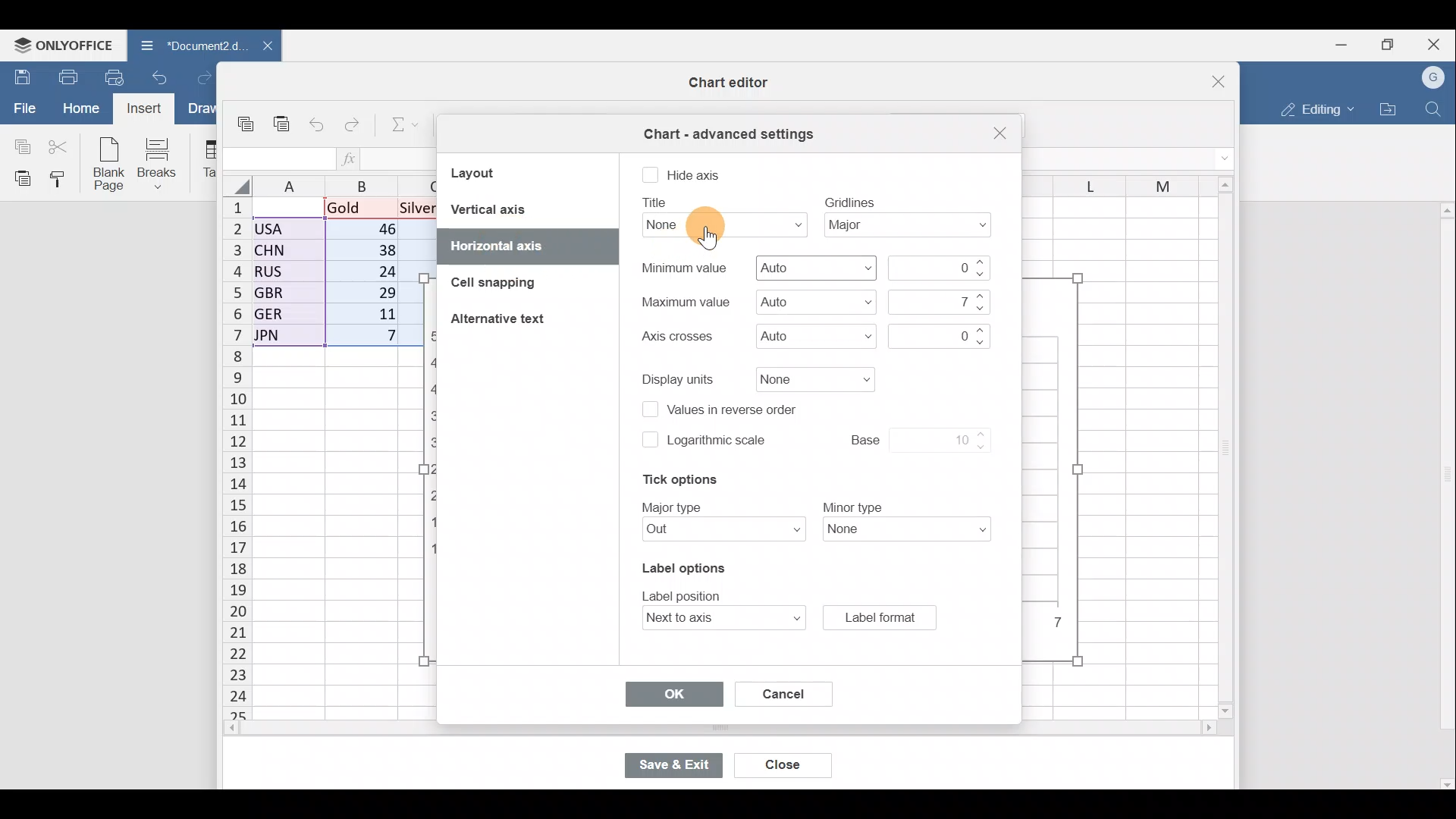  I want to click on Minimum value, so click(814, 268).